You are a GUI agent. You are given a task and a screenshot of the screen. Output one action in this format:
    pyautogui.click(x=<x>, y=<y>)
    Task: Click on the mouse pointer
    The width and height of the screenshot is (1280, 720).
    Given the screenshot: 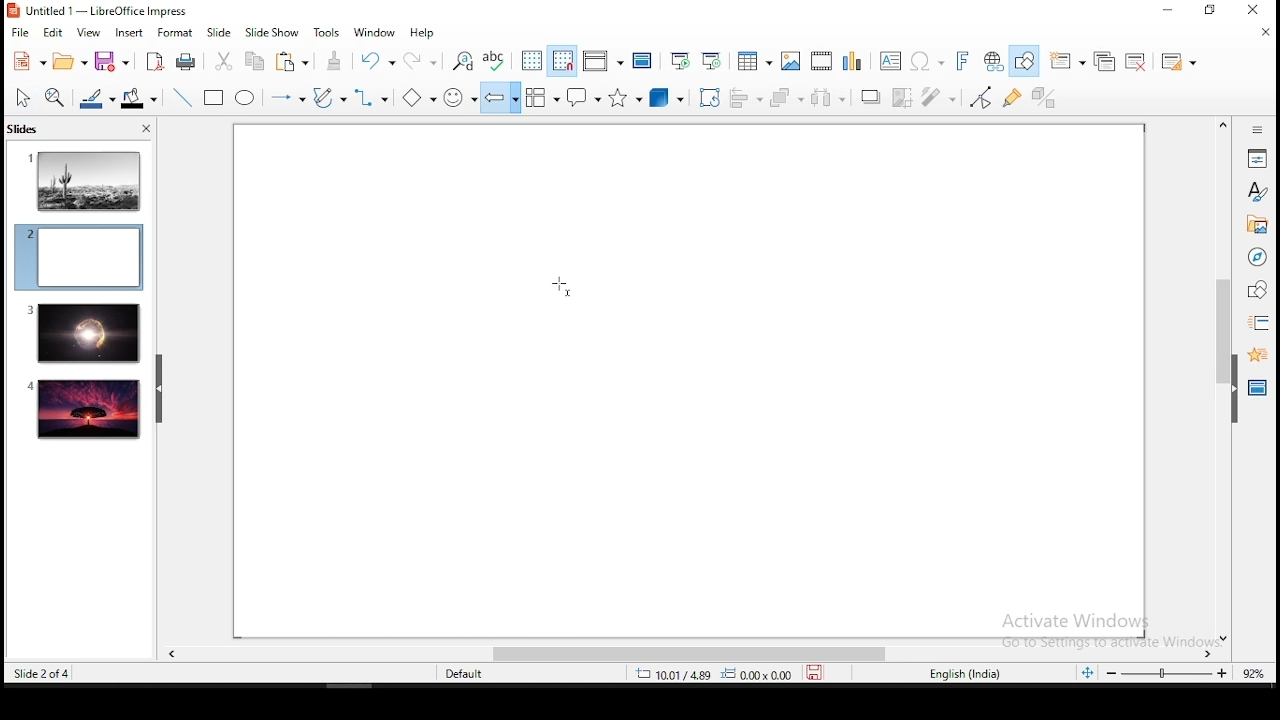 What is the action you would take?
    pyautogui.click(x=564, y=286)
    